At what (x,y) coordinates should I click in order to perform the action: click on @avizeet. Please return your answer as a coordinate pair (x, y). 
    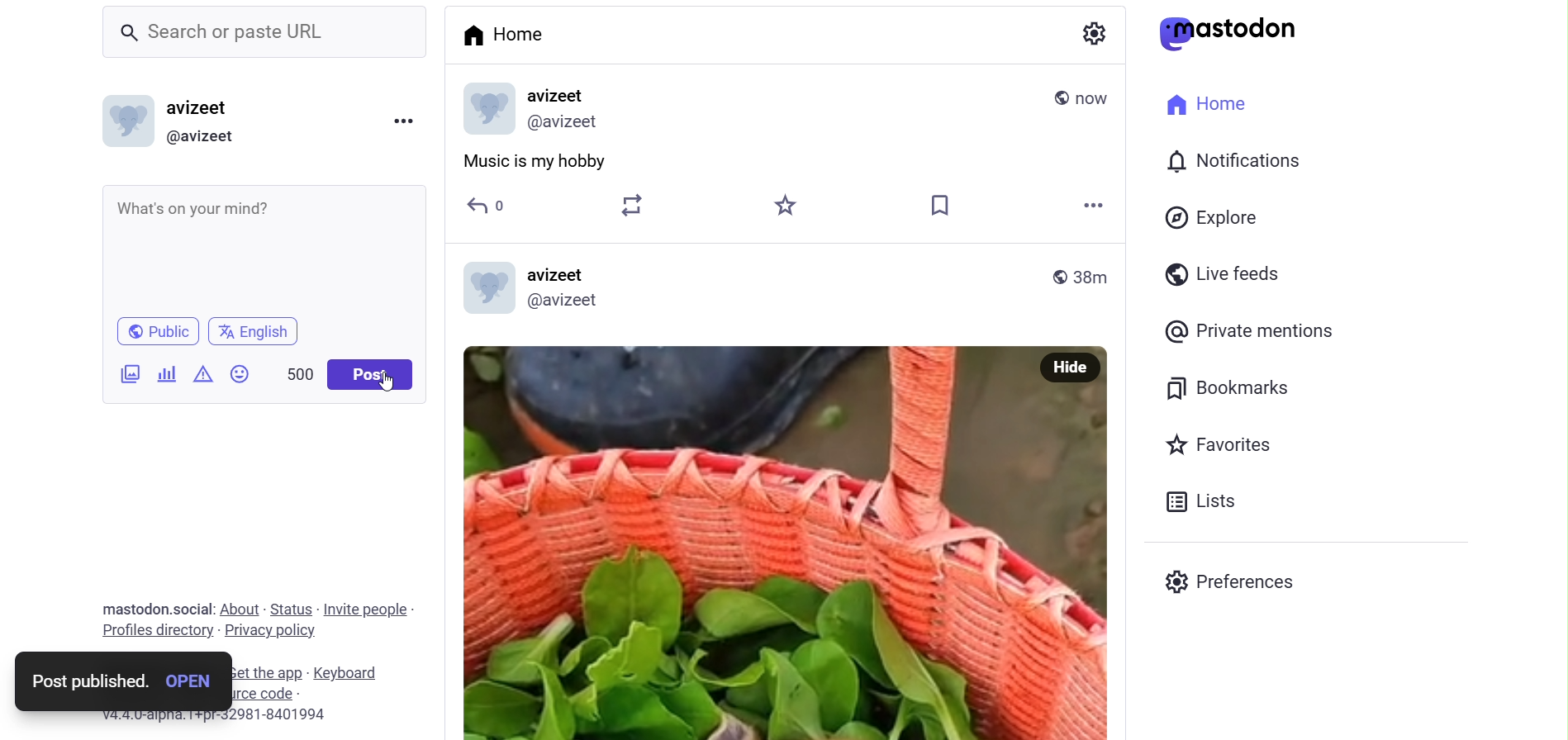
    Looking at the image, I should click on (569, 123).